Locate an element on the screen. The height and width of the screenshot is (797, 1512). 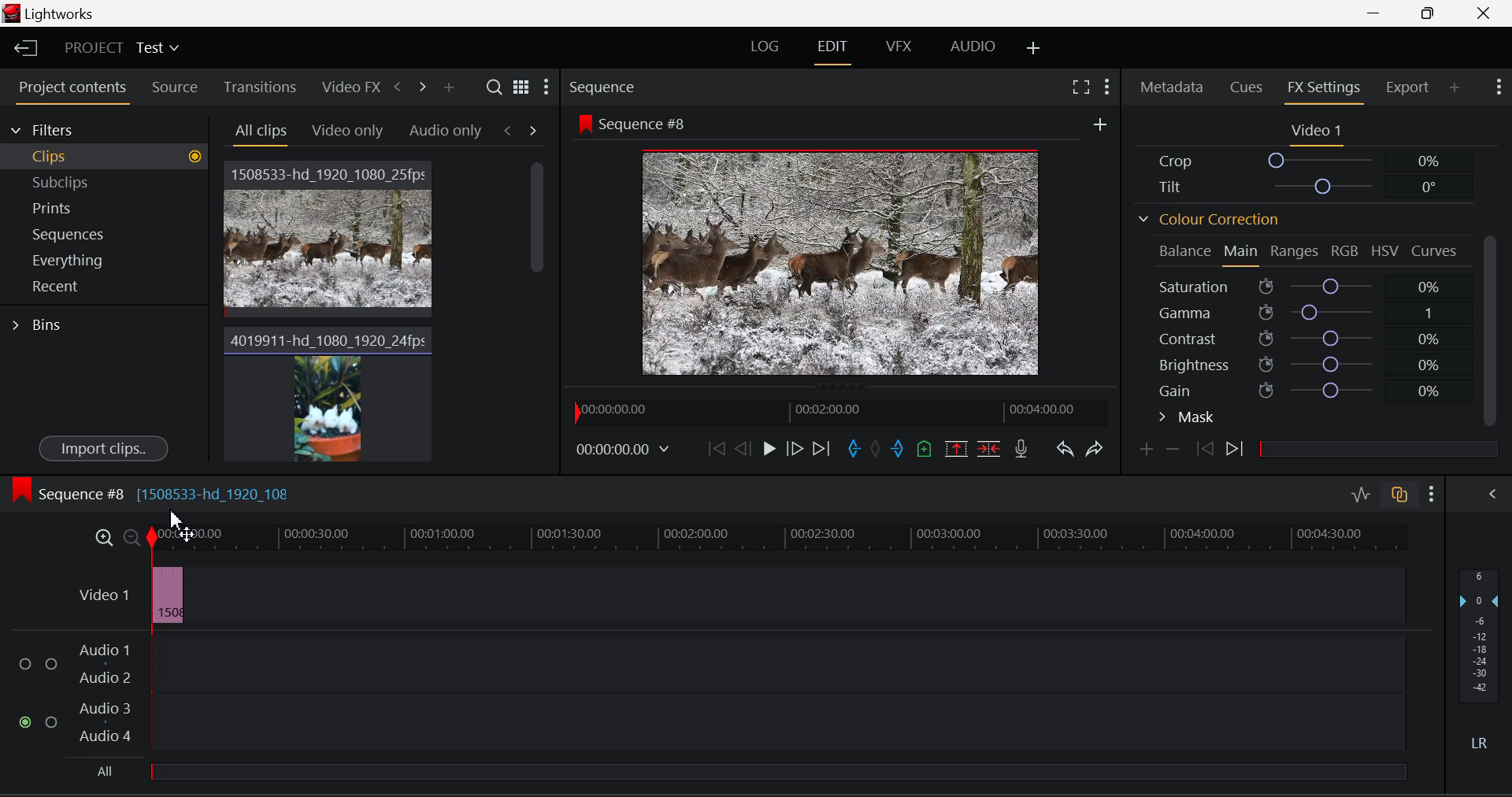
Balance is located at coordinates (1181, 252).